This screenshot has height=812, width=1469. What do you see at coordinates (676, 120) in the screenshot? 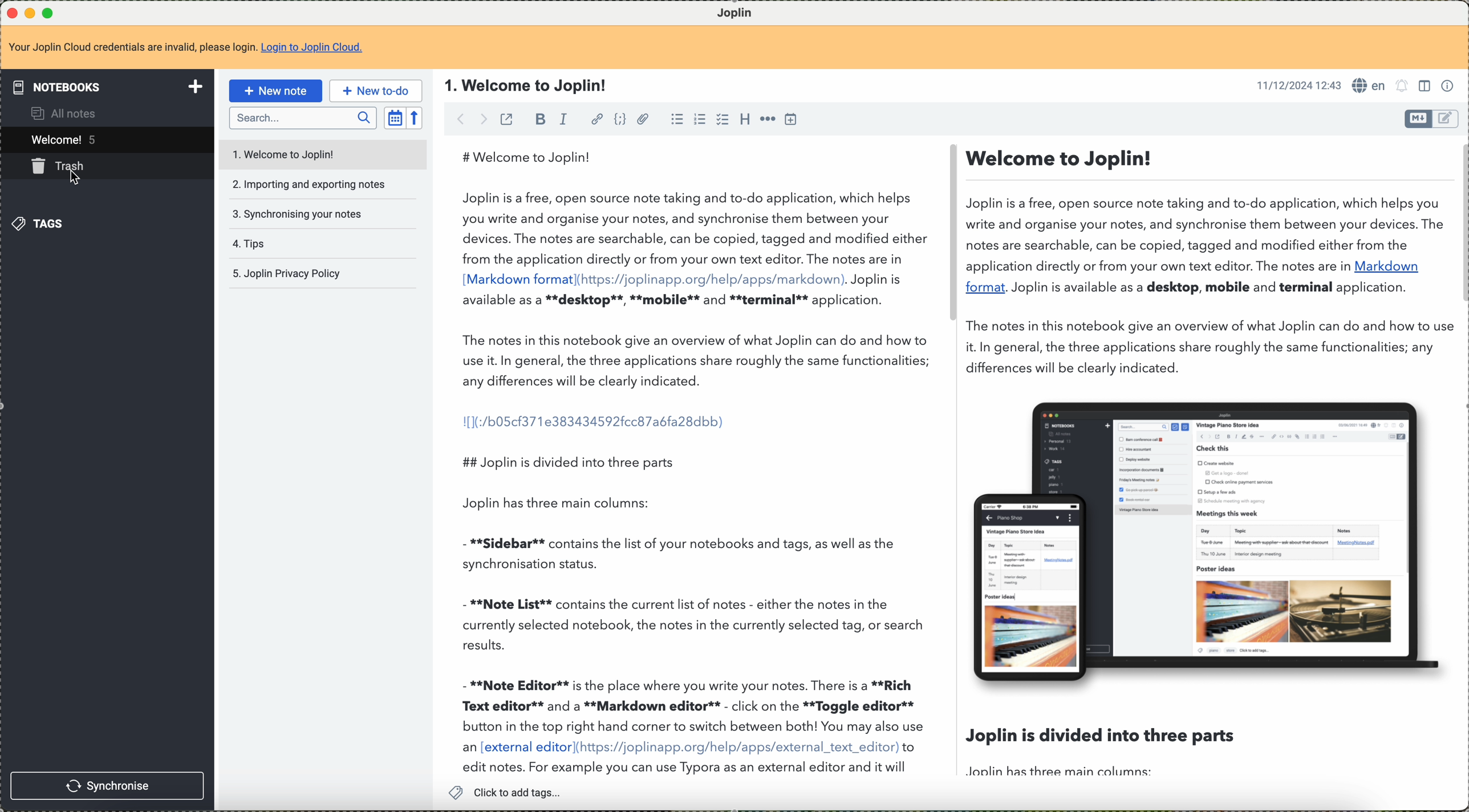
I see `bulleted list` at bounding box center [676, 120].